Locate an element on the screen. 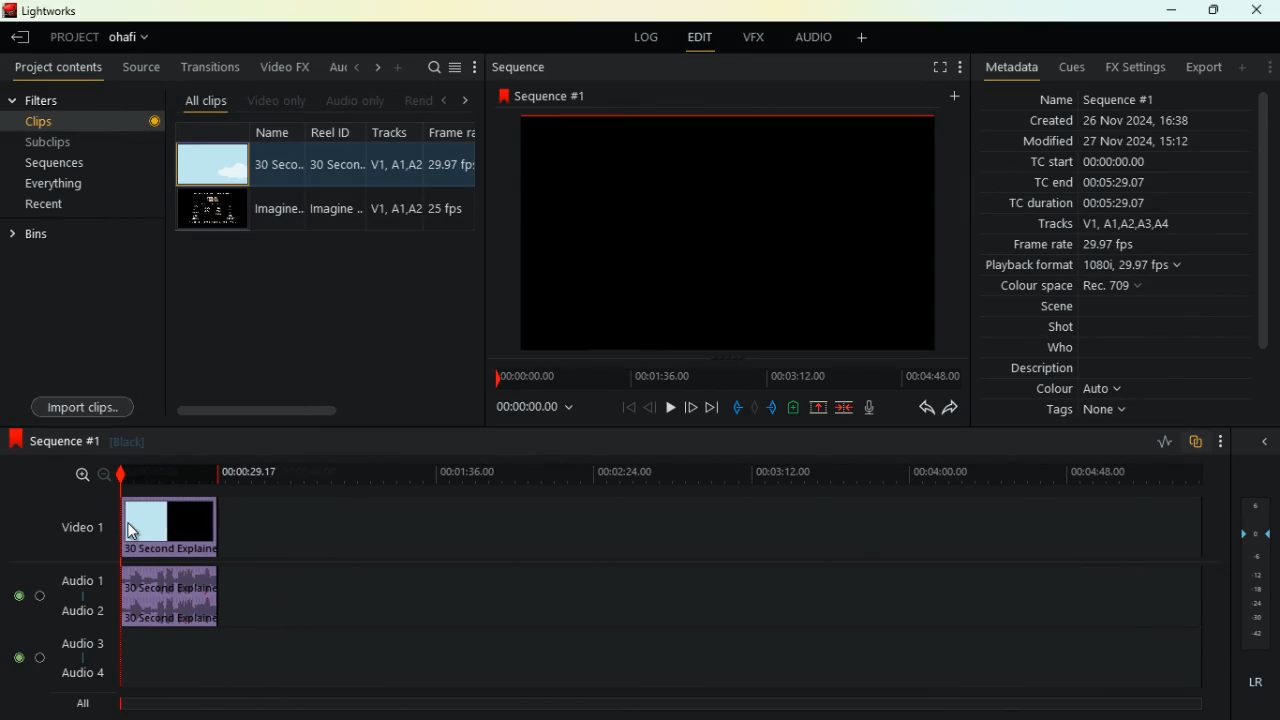 The height and width of the screenshot is (720, 1280). battery is located at coordinates (794, 409).